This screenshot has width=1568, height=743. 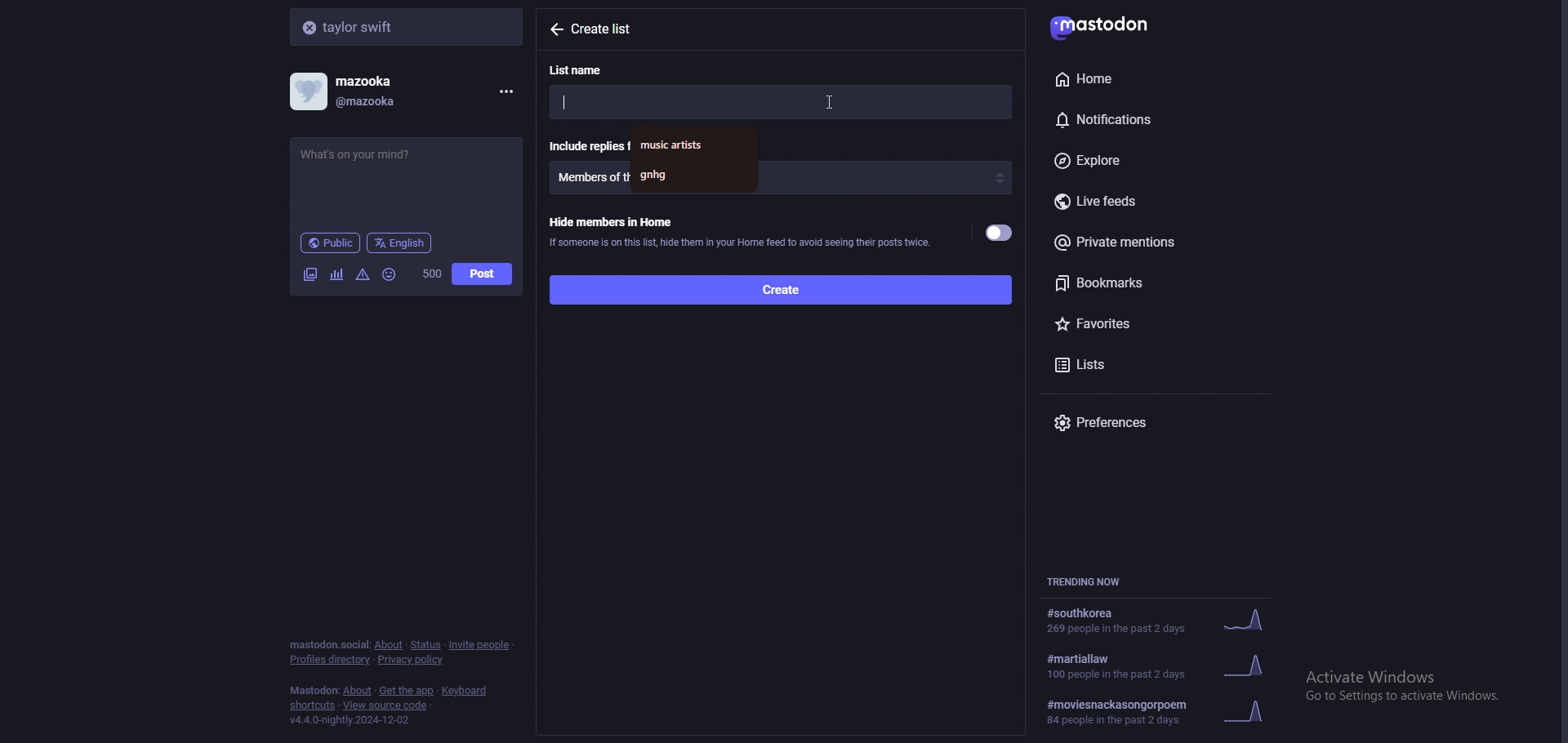 What do you see at coordinates (503, 91) in the screenshot?
I see `menu` at bounding box center [503, 91].